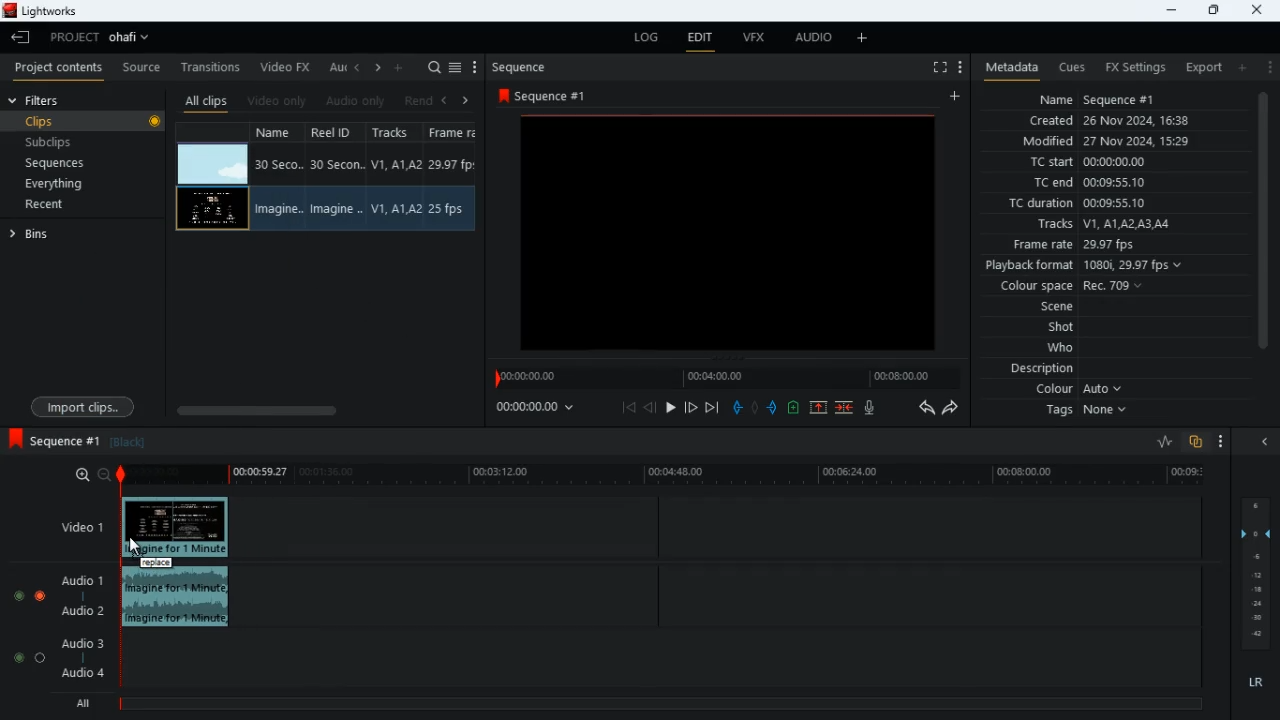 The width and height of the screenshot is (1280, 720). Describe the element at coordinates (53, 440) in the screenshot. I see `sequence` at that location.